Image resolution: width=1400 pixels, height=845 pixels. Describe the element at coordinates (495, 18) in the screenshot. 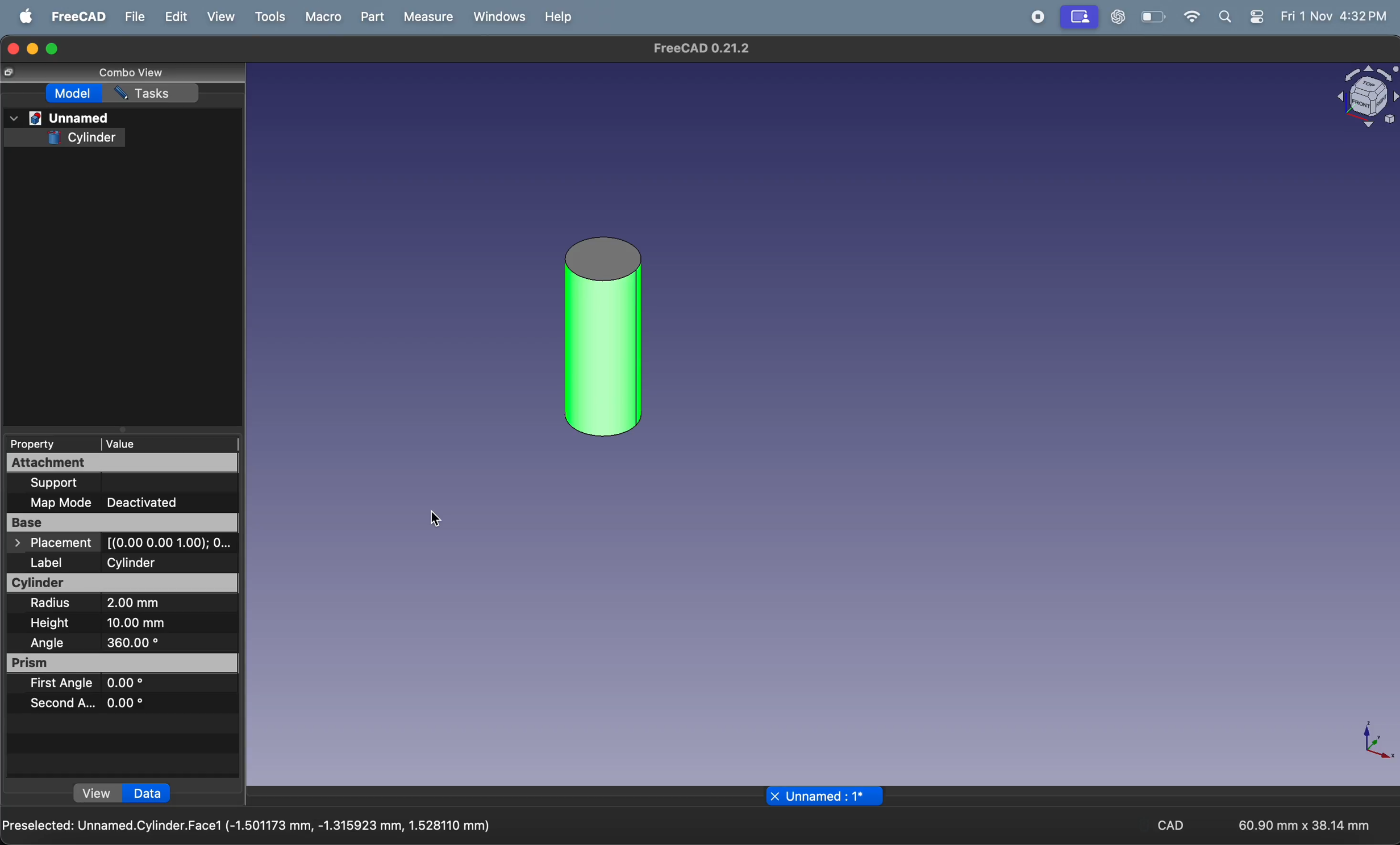

I see `windows` at that location.